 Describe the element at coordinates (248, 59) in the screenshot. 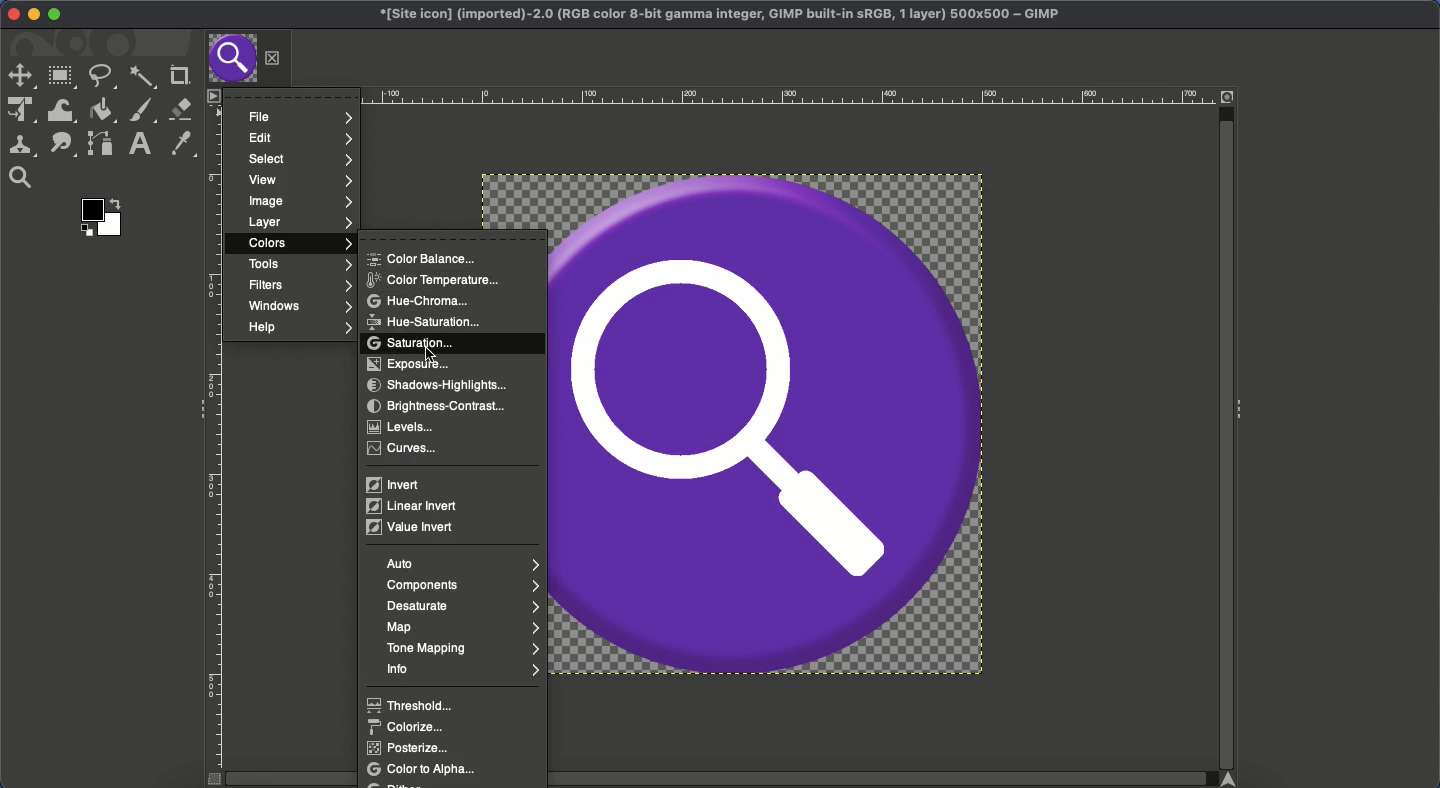

I see `Tab` at that location.